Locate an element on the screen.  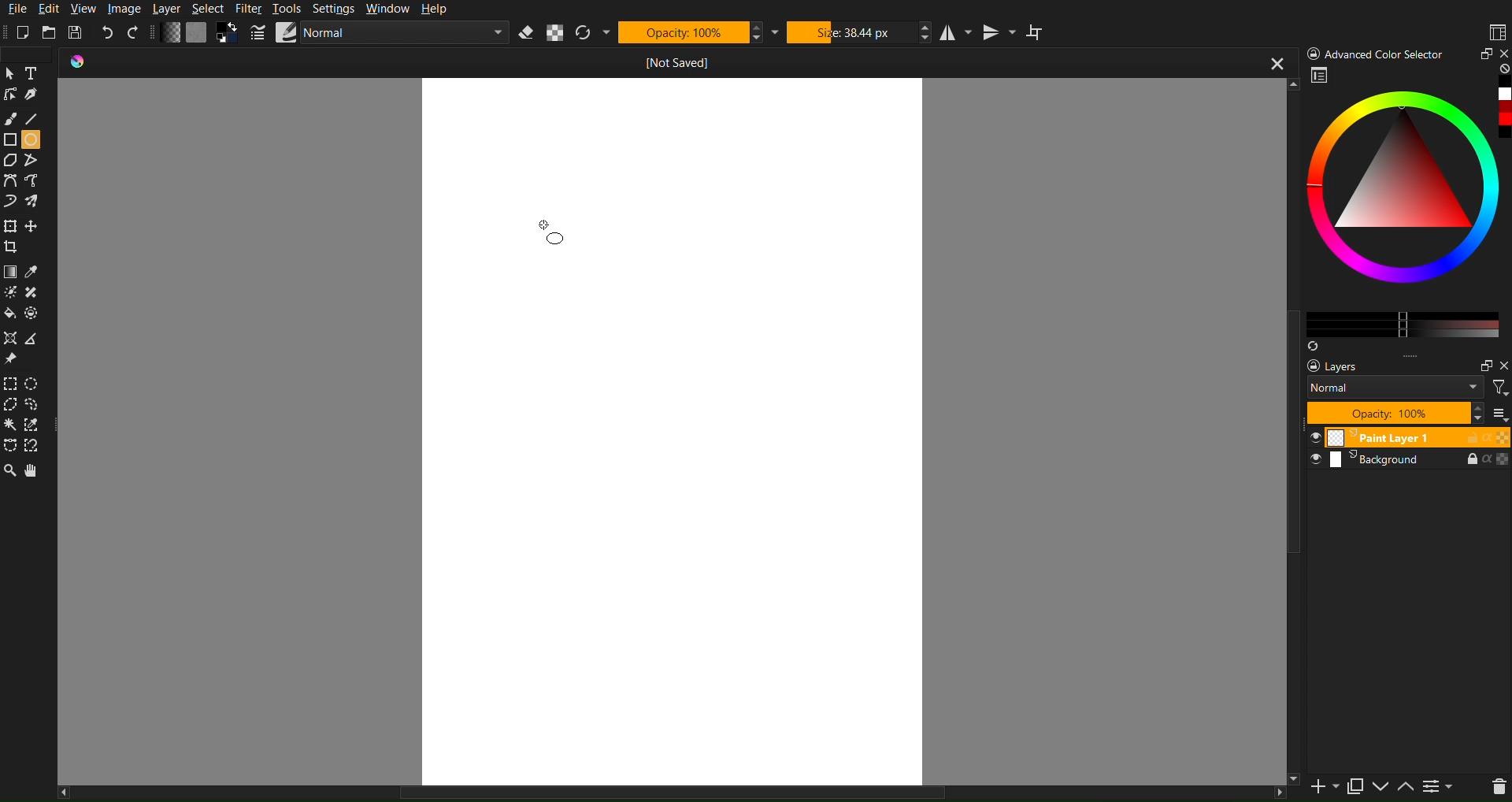
Redo is located at coordinates (133, 32).